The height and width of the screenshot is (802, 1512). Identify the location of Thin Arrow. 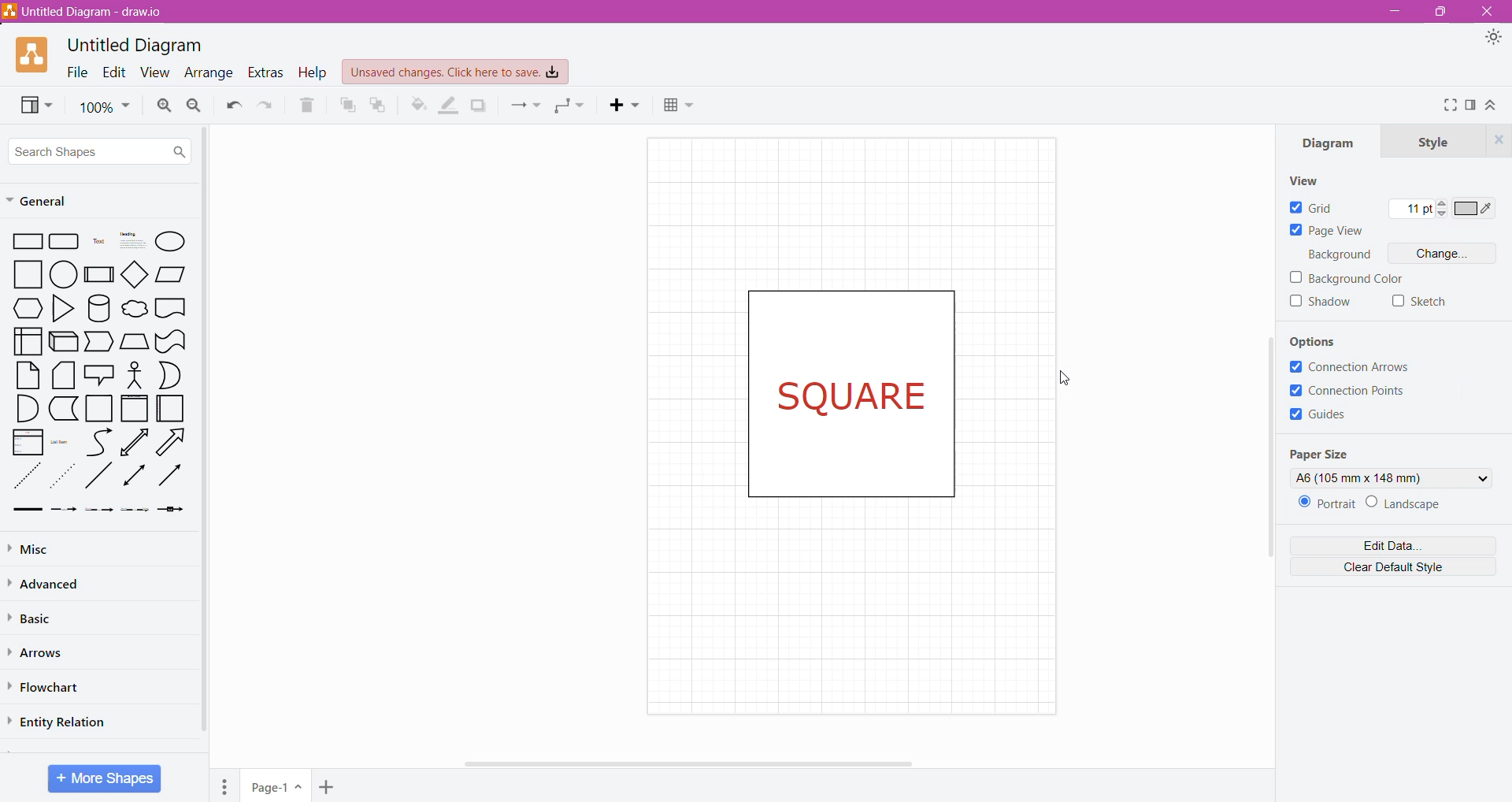
(98, 510).